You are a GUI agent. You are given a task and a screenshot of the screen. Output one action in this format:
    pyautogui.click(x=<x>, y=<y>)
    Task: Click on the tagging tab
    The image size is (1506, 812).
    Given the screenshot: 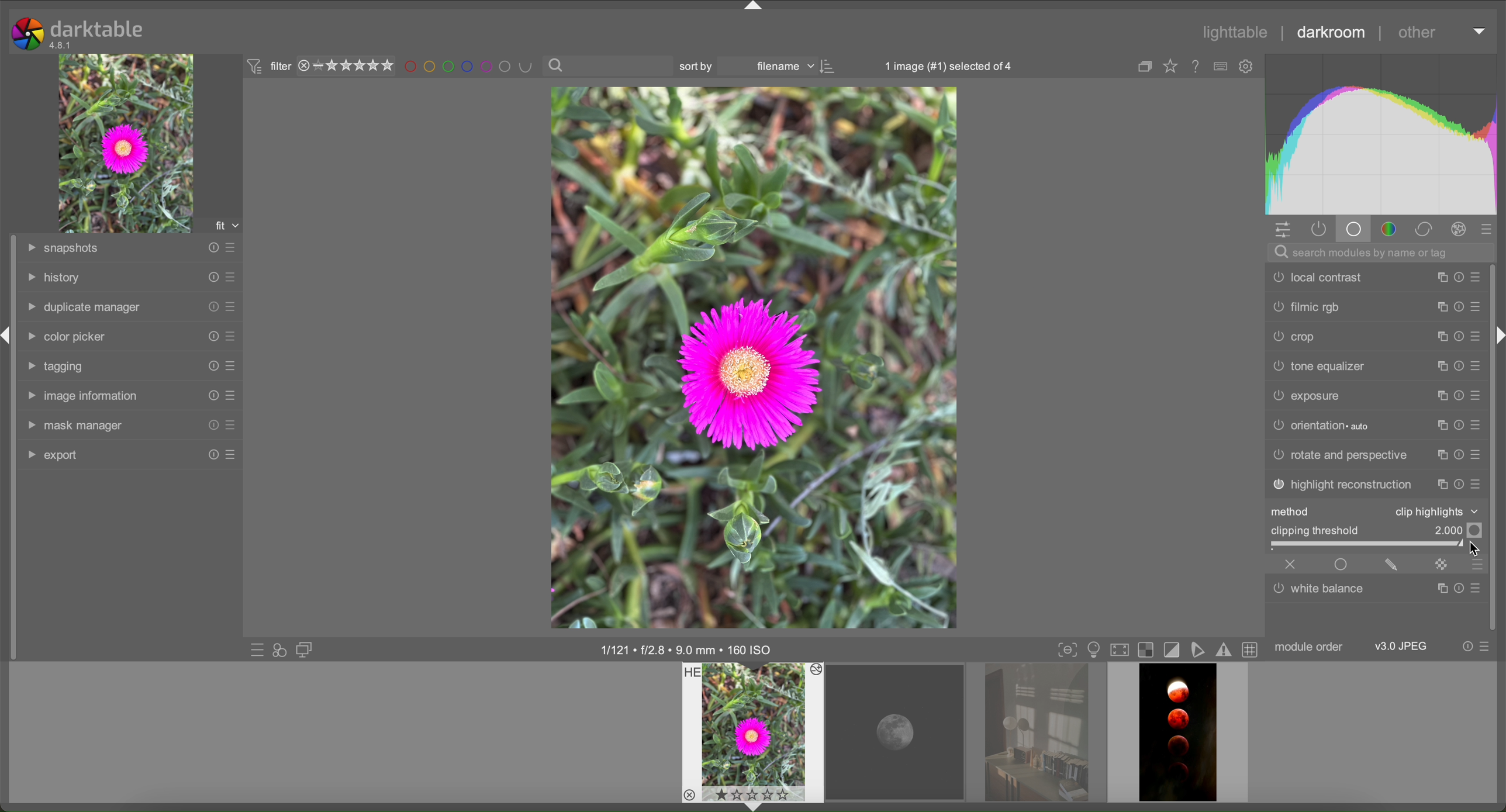 What is the action you would take?
    pyautogui.click(x=58, y=367)
    